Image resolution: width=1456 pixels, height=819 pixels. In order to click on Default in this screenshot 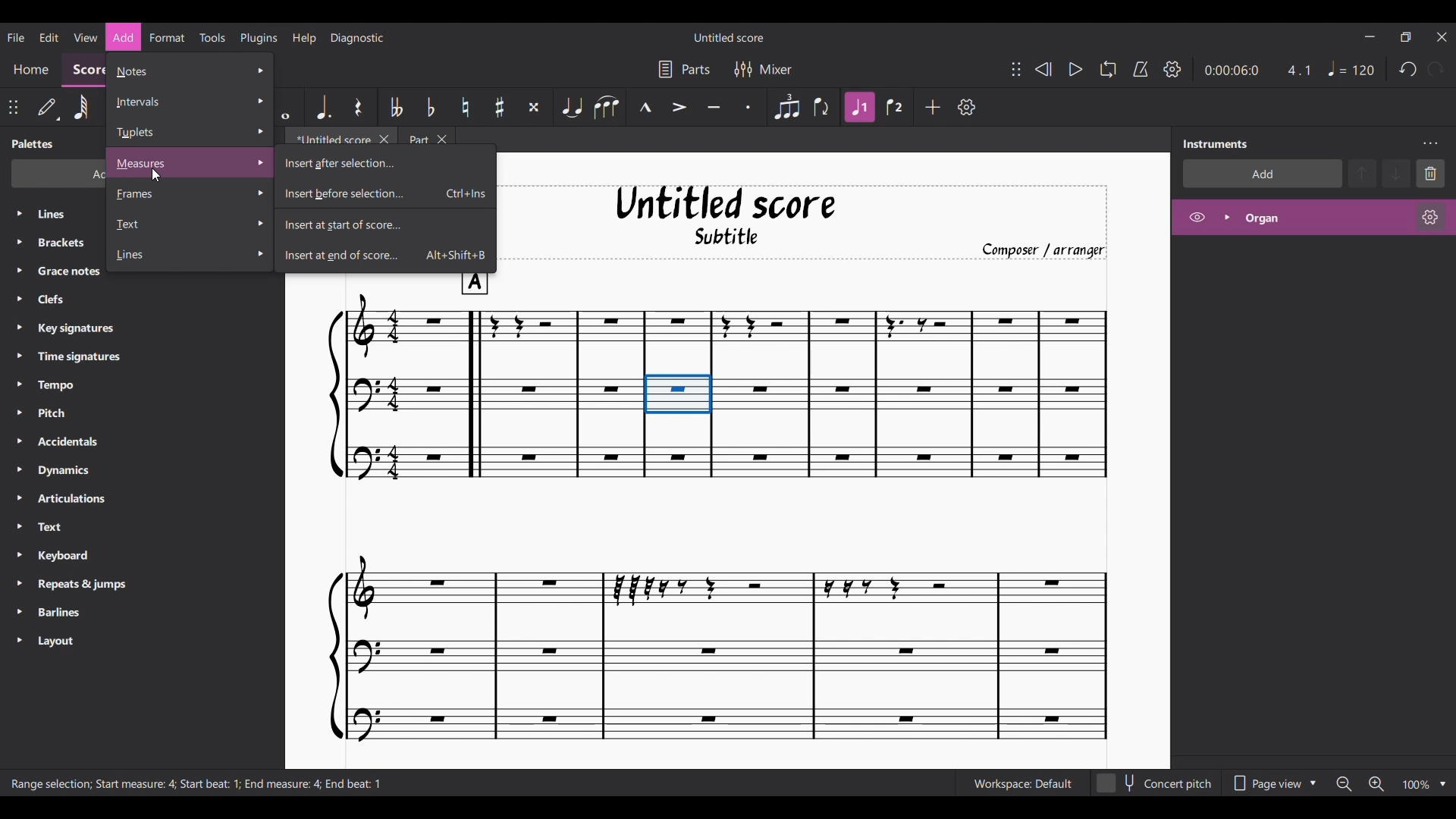, I will do `click(48, 107)`.